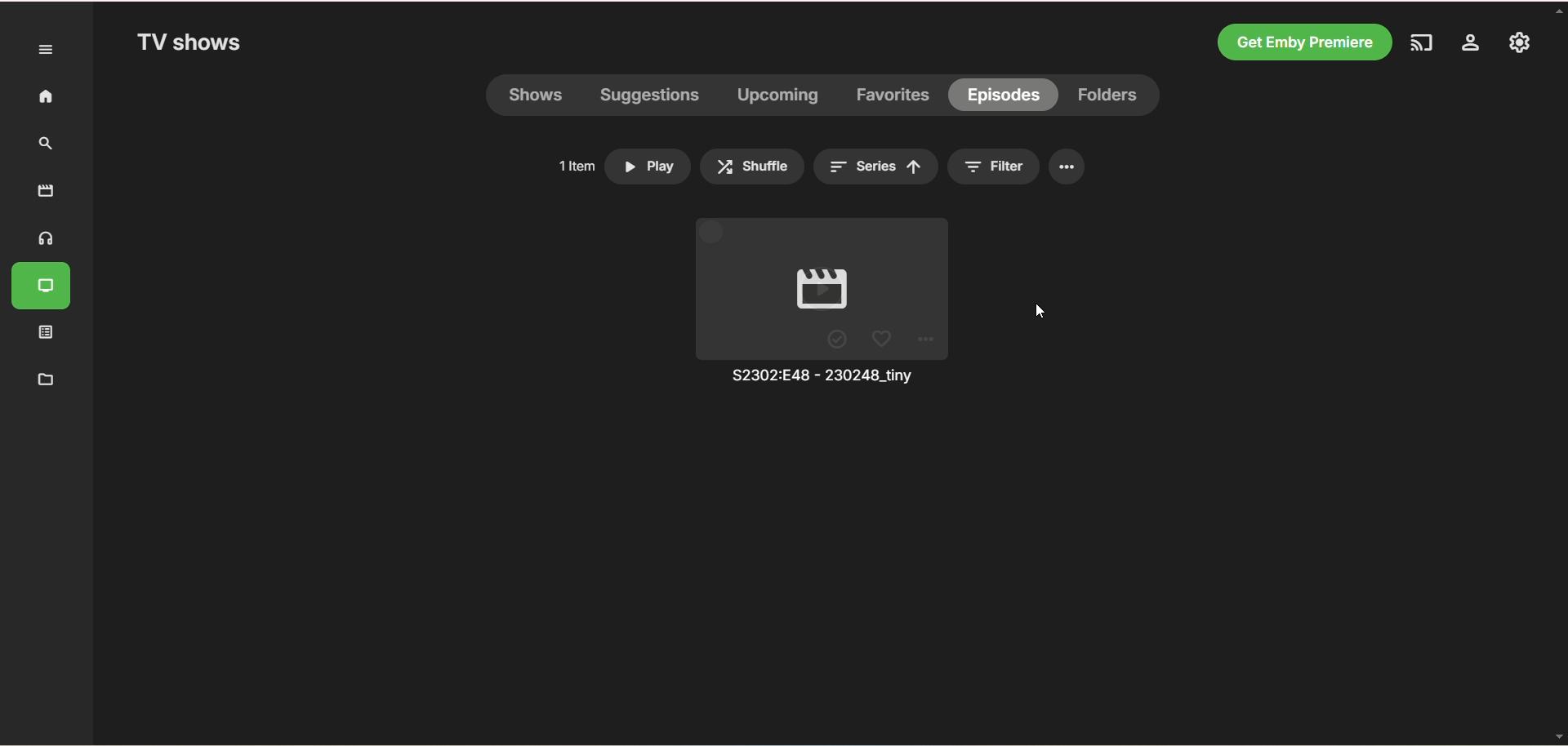  I want to click on favorites, so click(896, 95).